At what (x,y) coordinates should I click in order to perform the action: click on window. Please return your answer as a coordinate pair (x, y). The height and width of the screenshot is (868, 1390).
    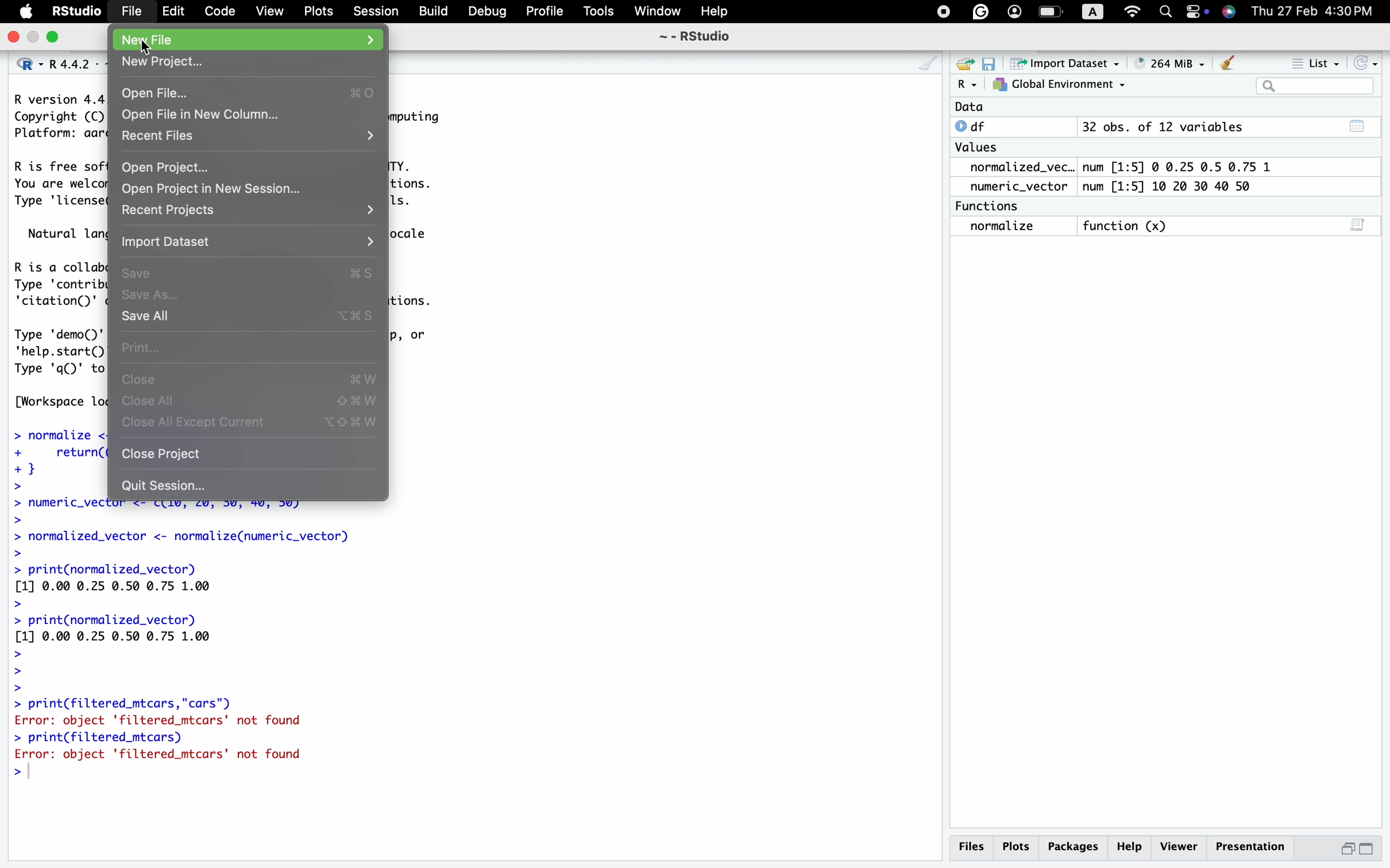
    Looking at the image, I should click on (656, 10).